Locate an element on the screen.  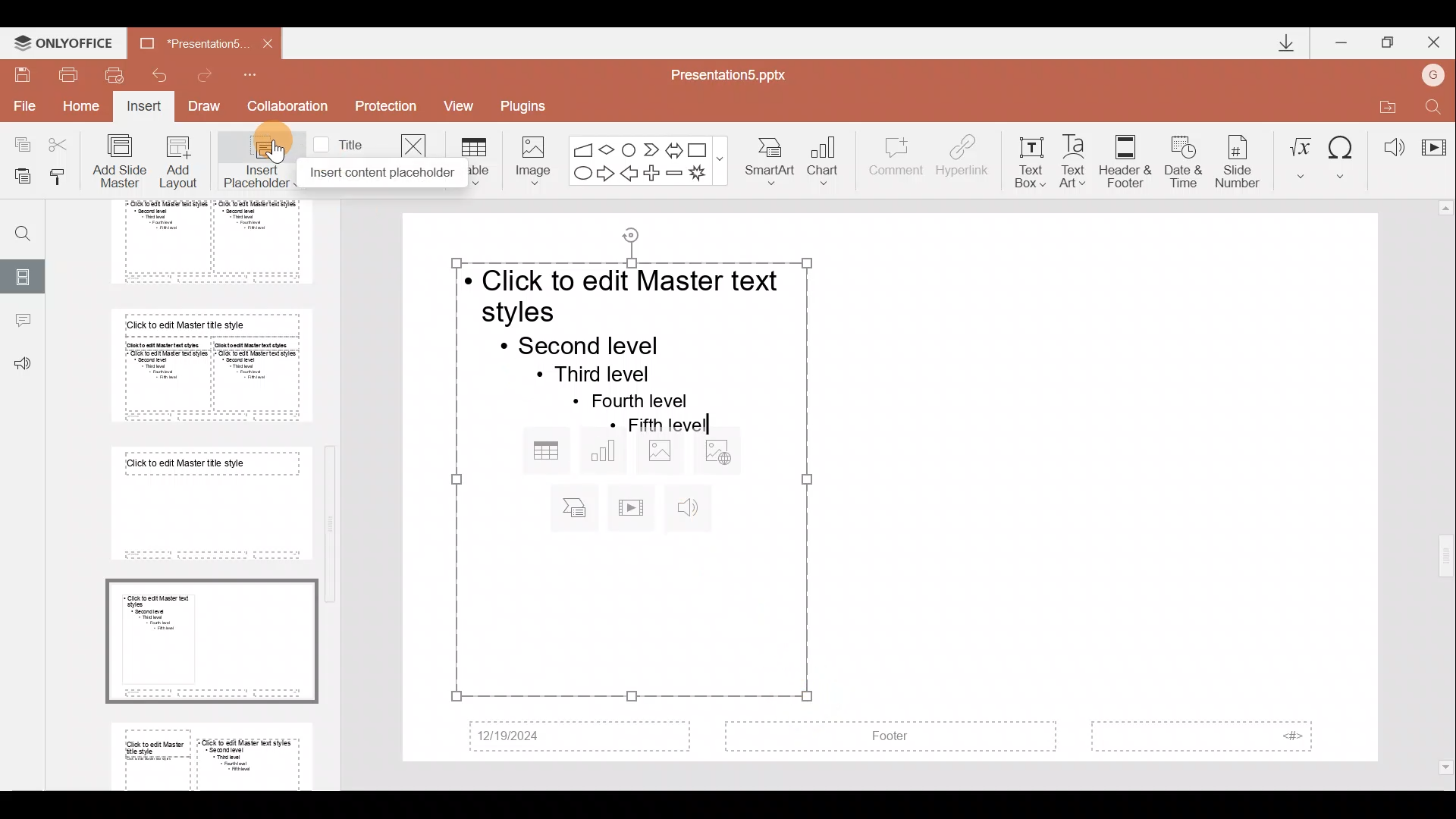
Scroll bar is located at coordinates (1446, 488).